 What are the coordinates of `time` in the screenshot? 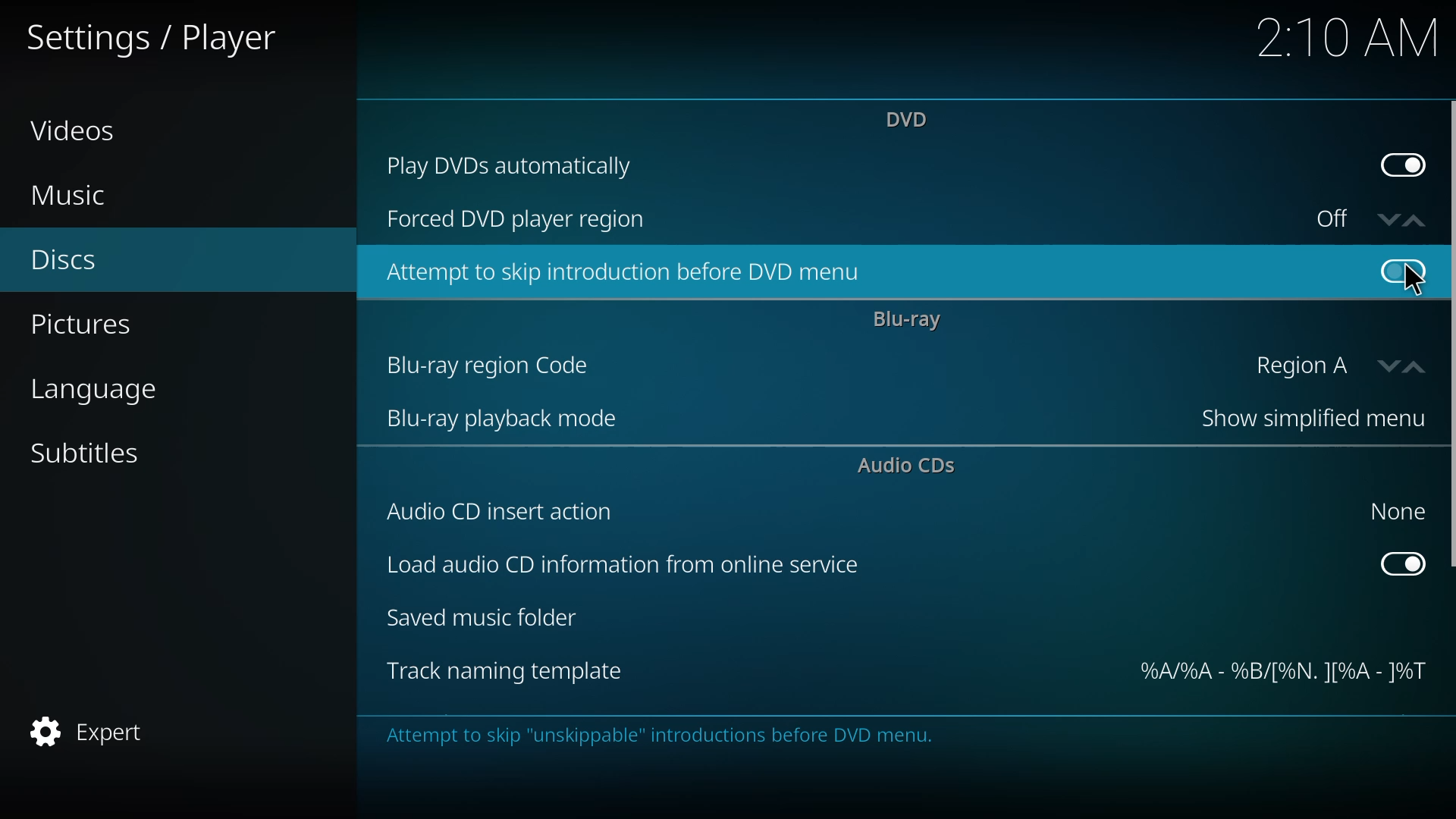 It's located at (1348, 38).